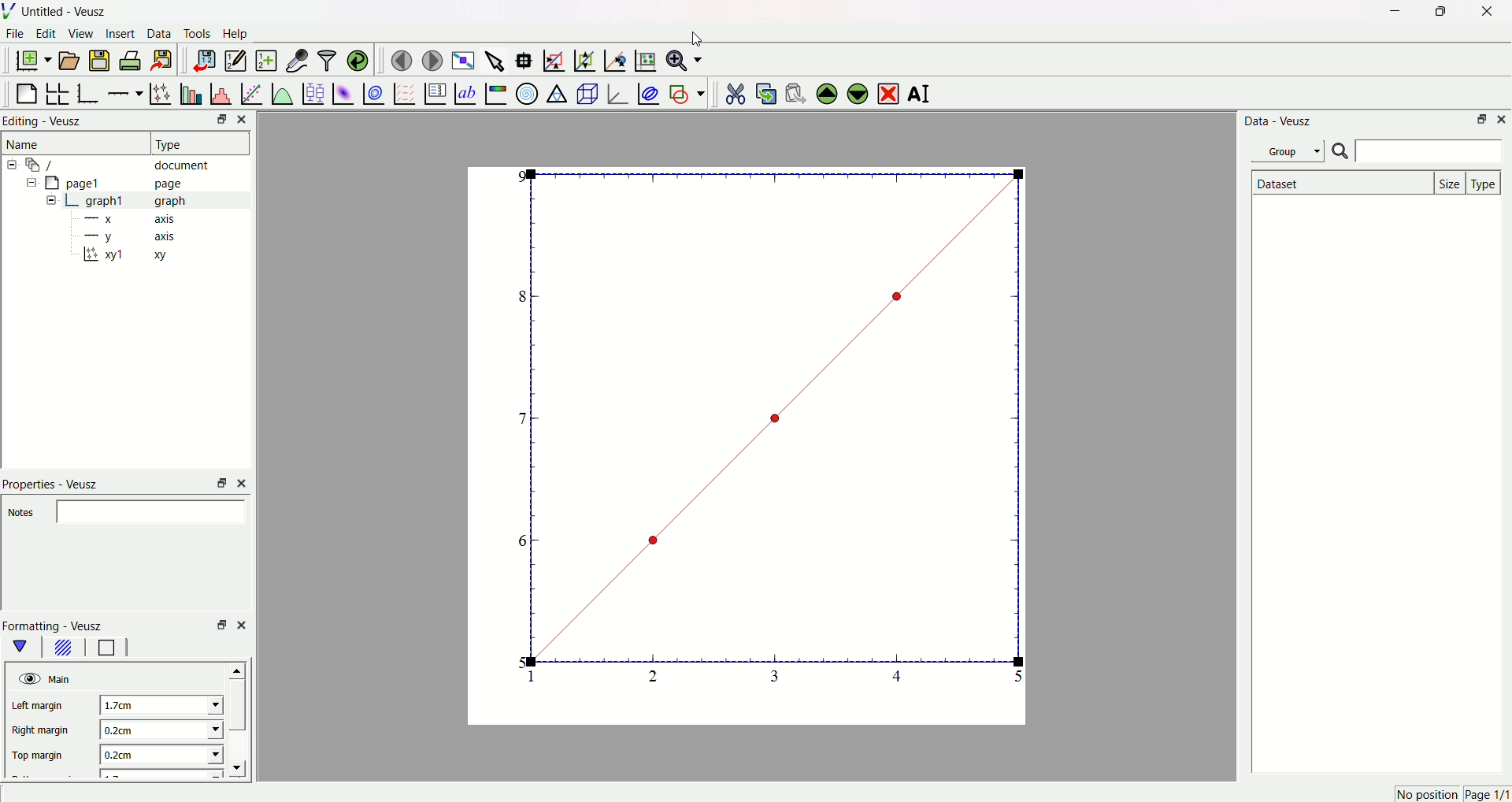 The height and width of the screenshot is (802, 1512). What do you see at coordinates (102, 60) in the screenshot?
I see `save document` at bounding box center [102, 60].